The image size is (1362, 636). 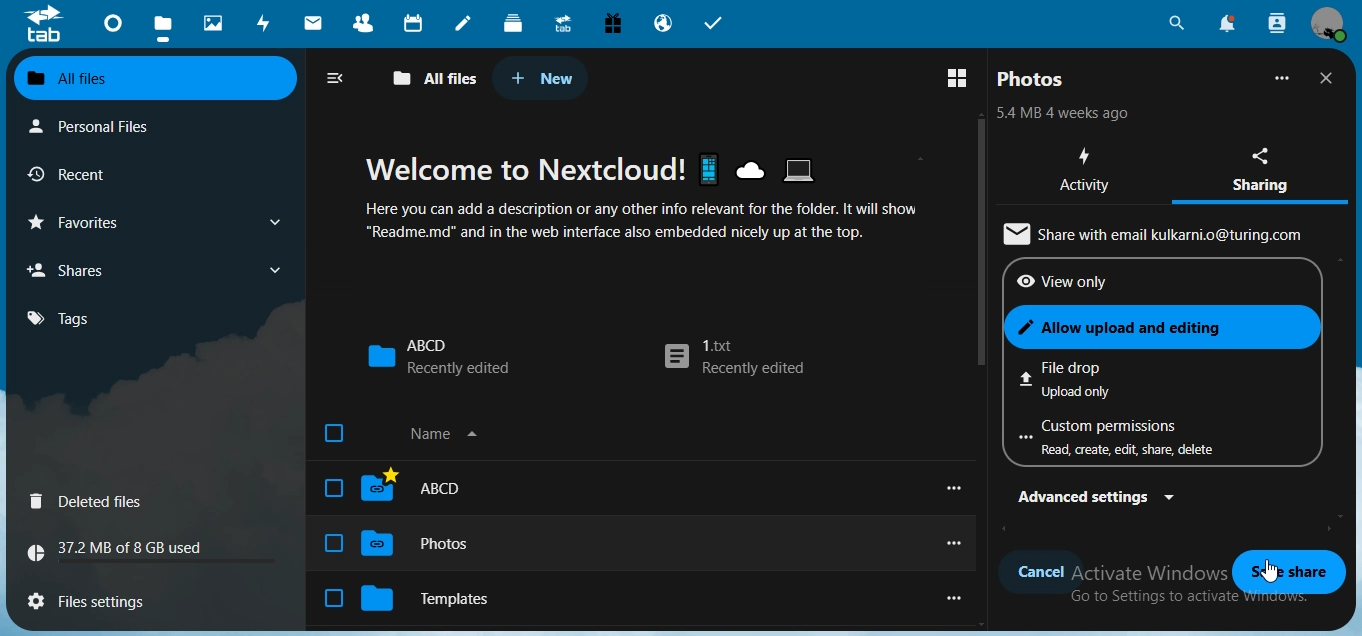 I want to click on ABCD, so click(x=438, y=356).